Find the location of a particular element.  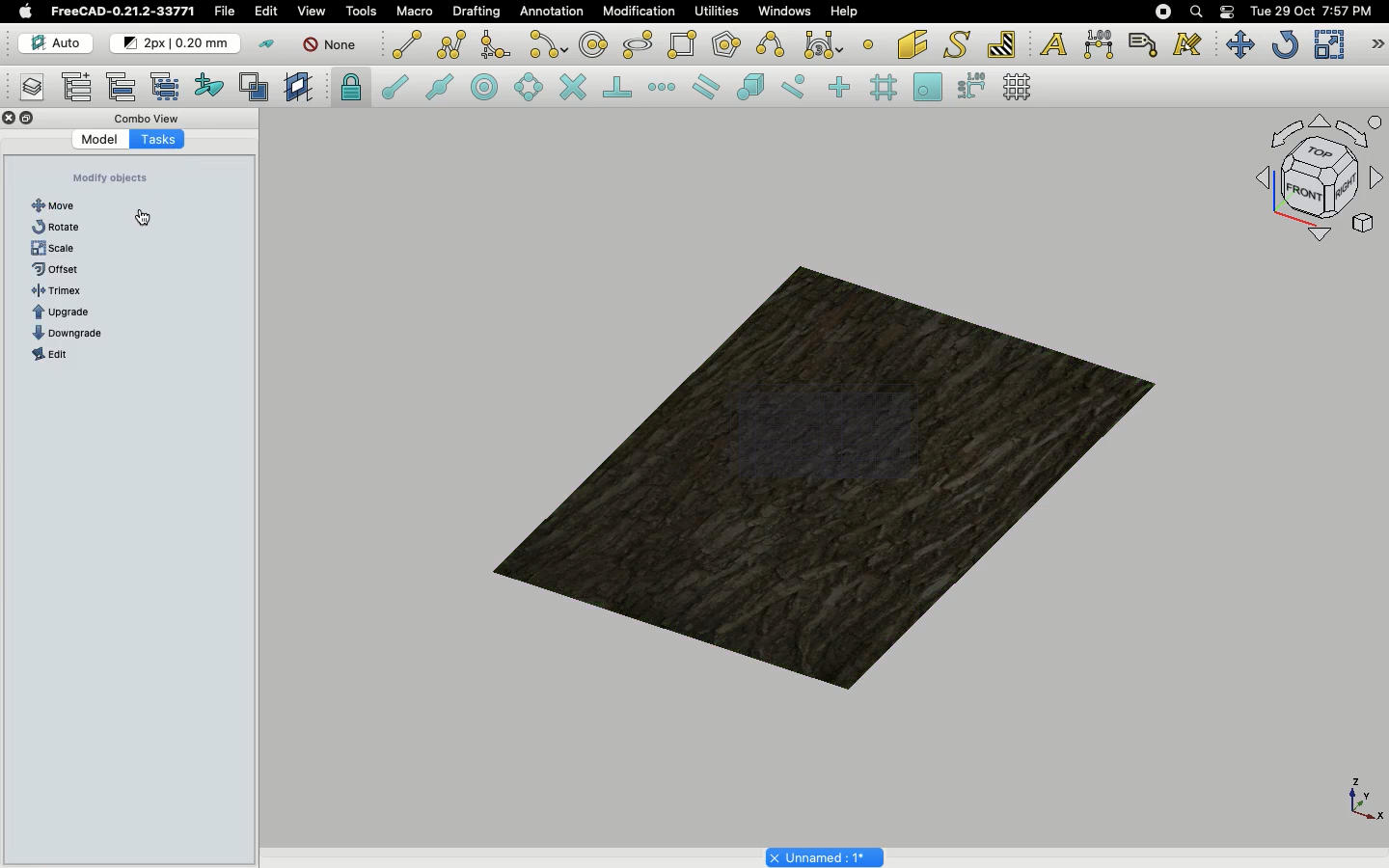

Toggle grid is located at coordinates (1019, 87).